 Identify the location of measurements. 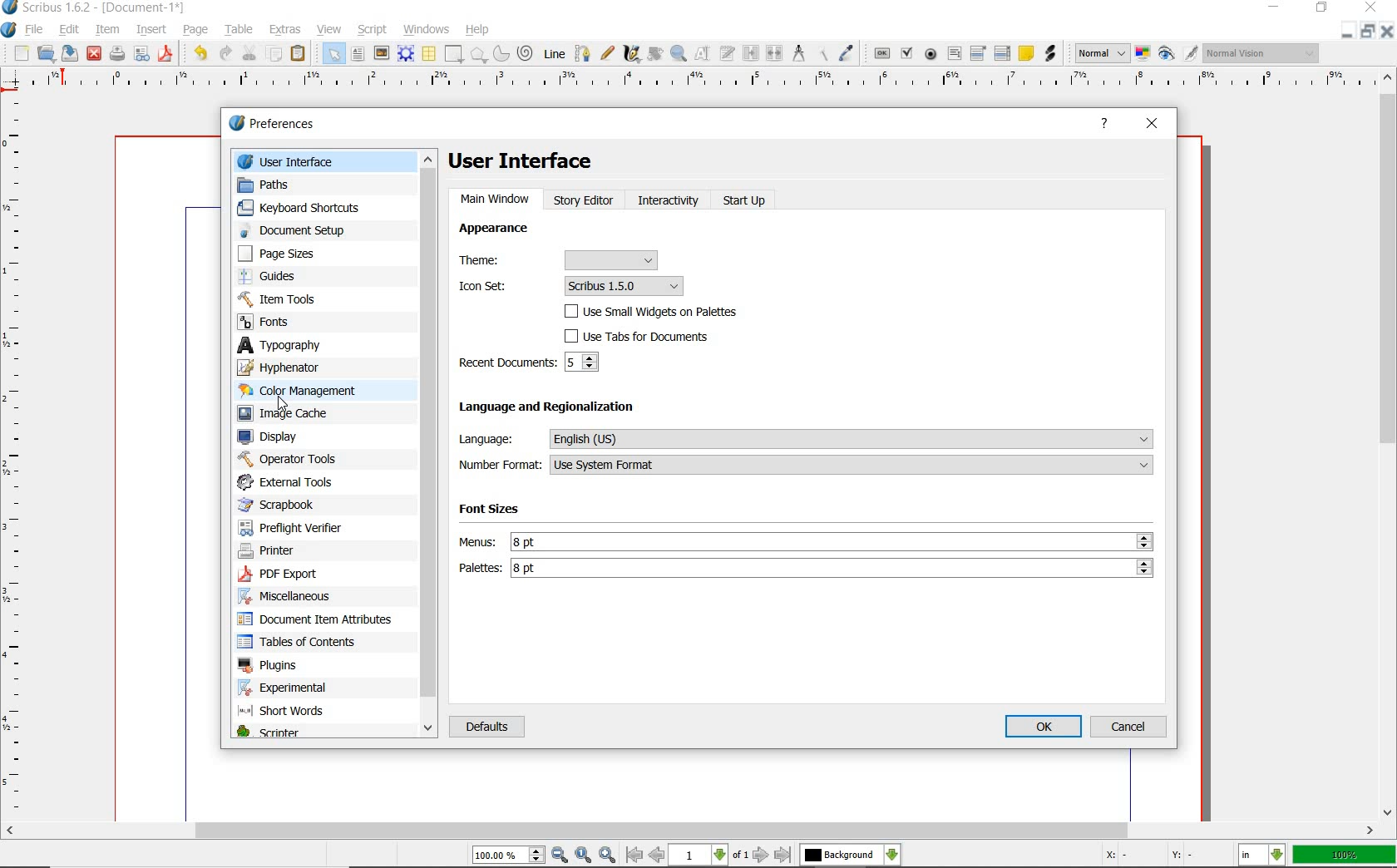
(799, 54).